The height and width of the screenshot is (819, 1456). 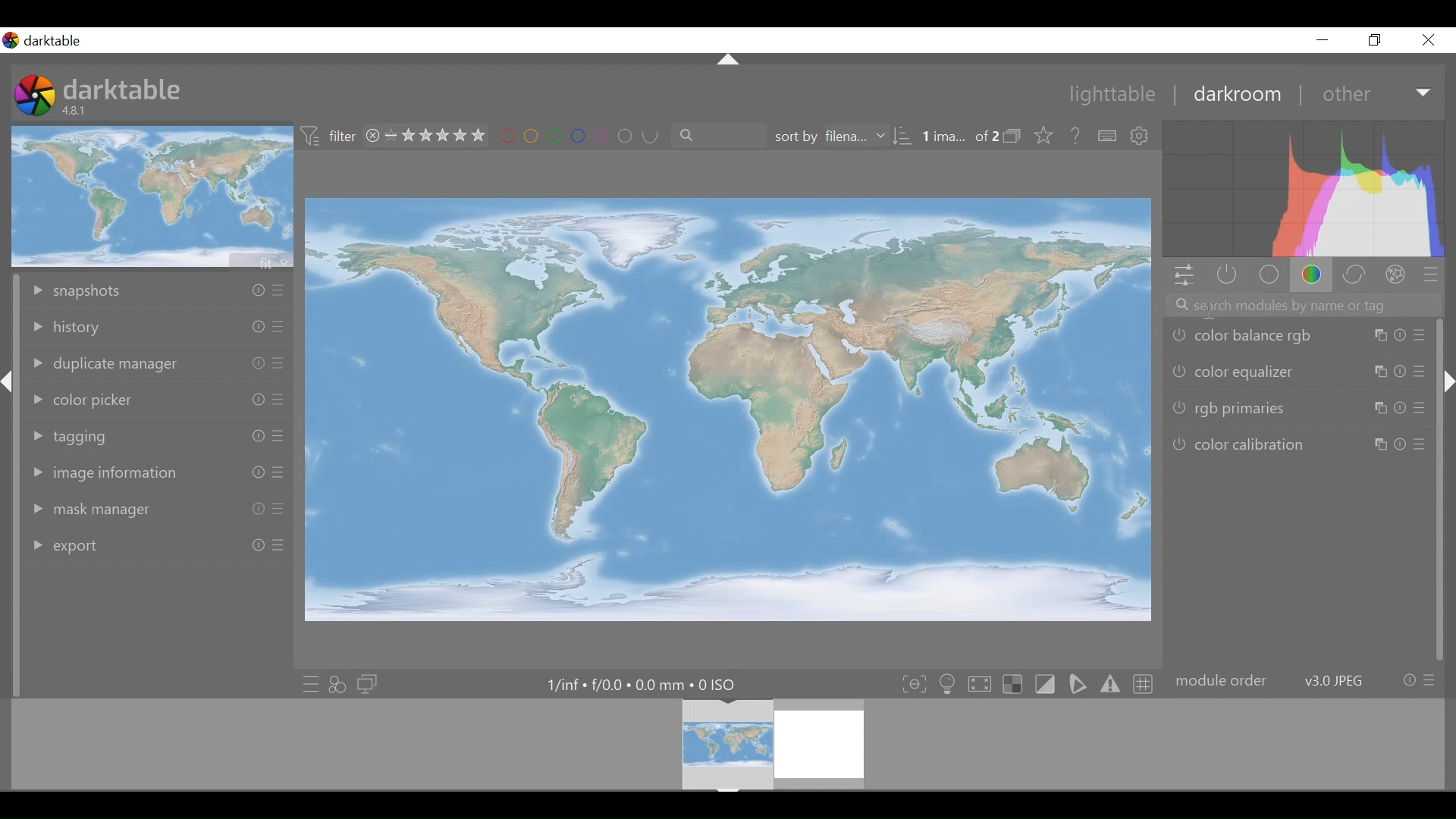 I want to click on mask manager, so click(x=155, y=509).